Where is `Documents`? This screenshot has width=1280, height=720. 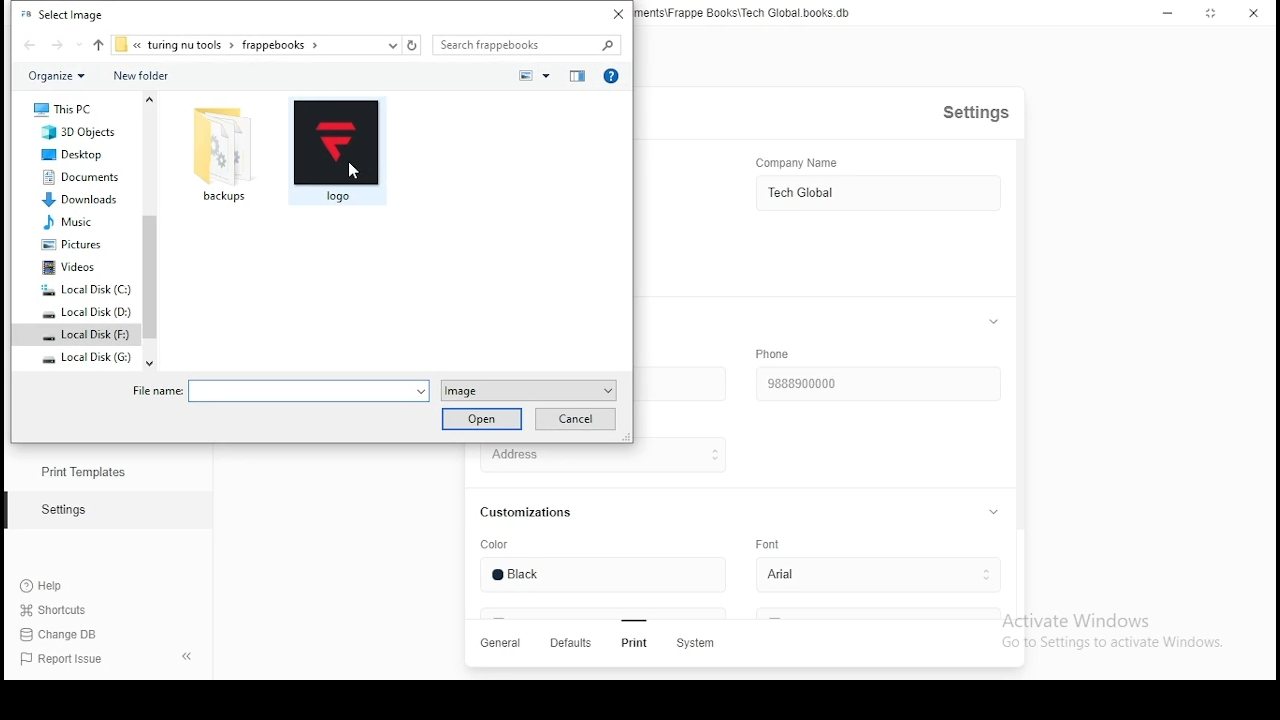
Documents is located at coordinates (79, 178).